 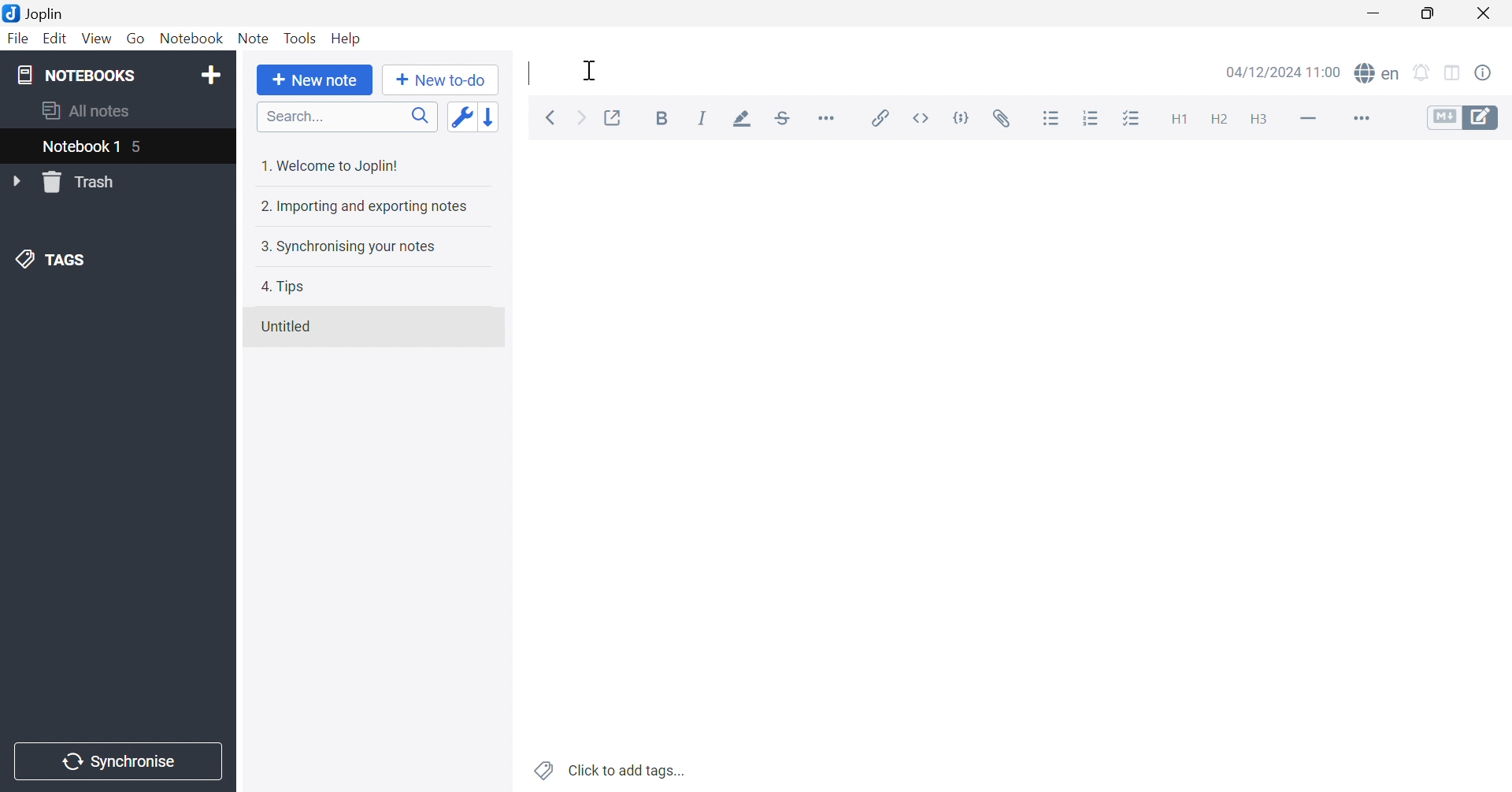 What do you see at coordinates (313, 80) in the screenshot?
I see `New note` at bounding box center [313, 80].